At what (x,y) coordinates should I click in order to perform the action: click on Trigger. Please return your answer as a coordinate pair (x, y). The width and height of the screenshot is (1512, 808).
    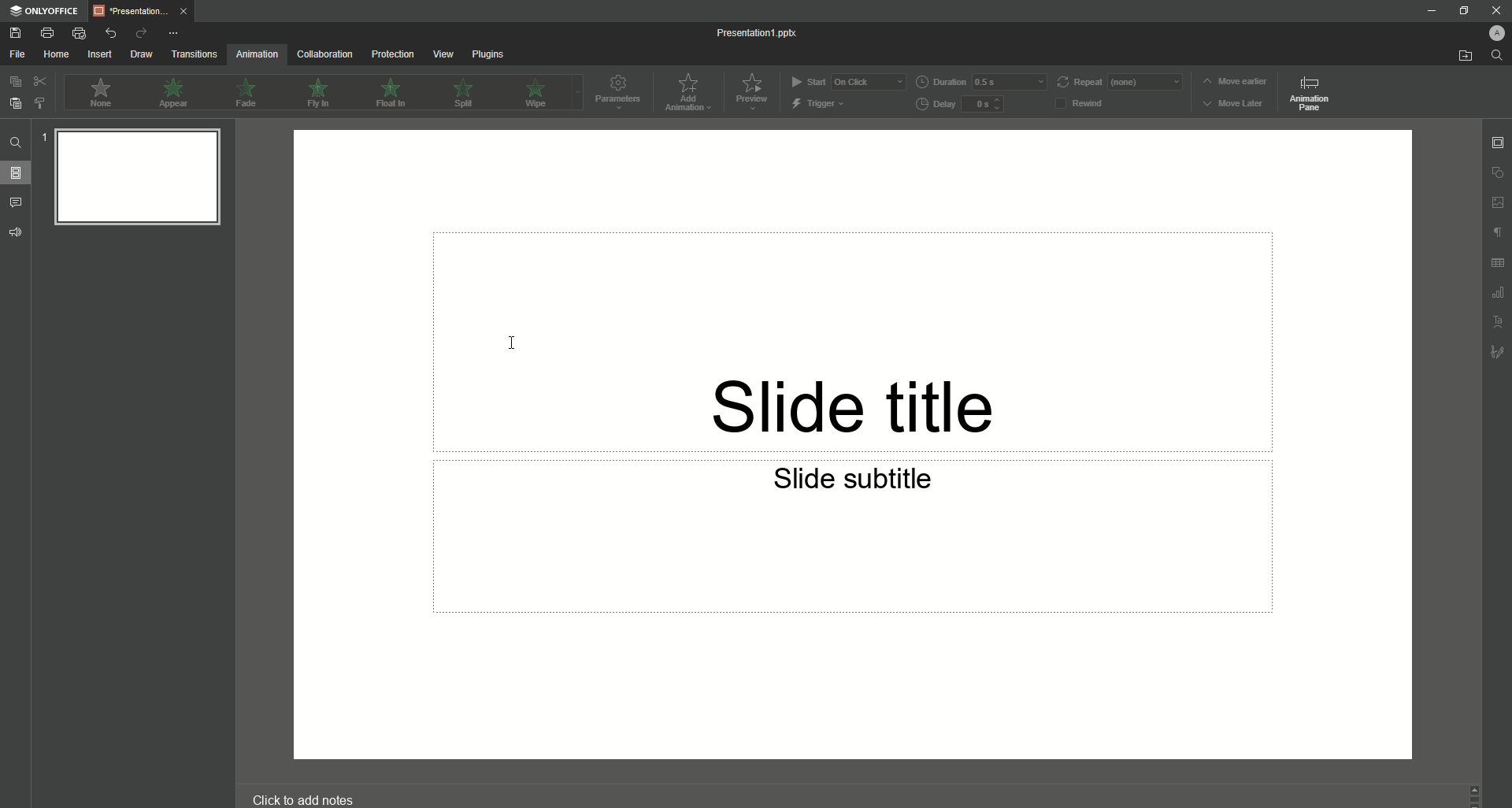
    Looking at the image, I should click on (820, 103).